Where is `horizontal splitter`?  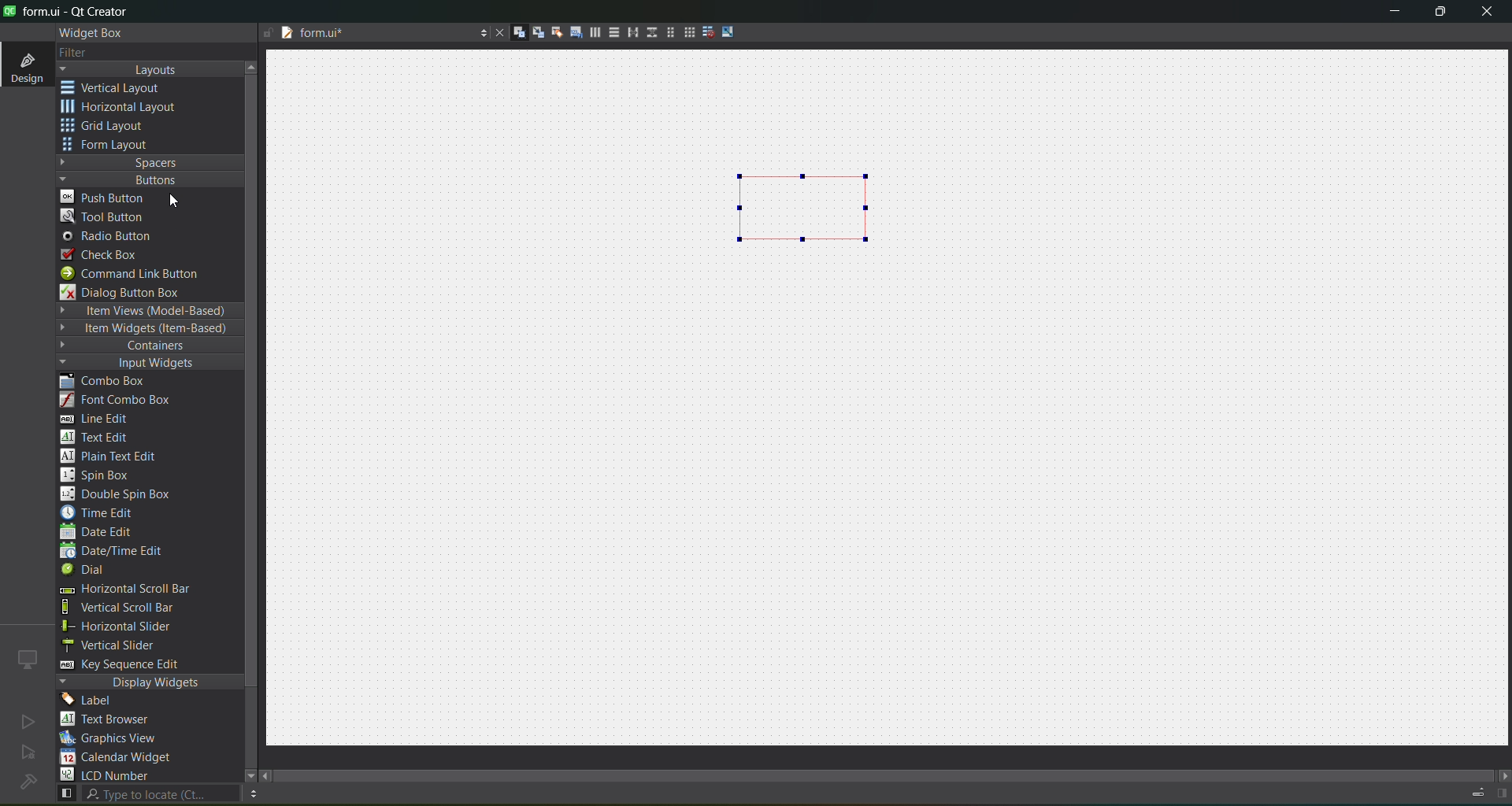
horizontal splitter is located at coordinates (628, 33).